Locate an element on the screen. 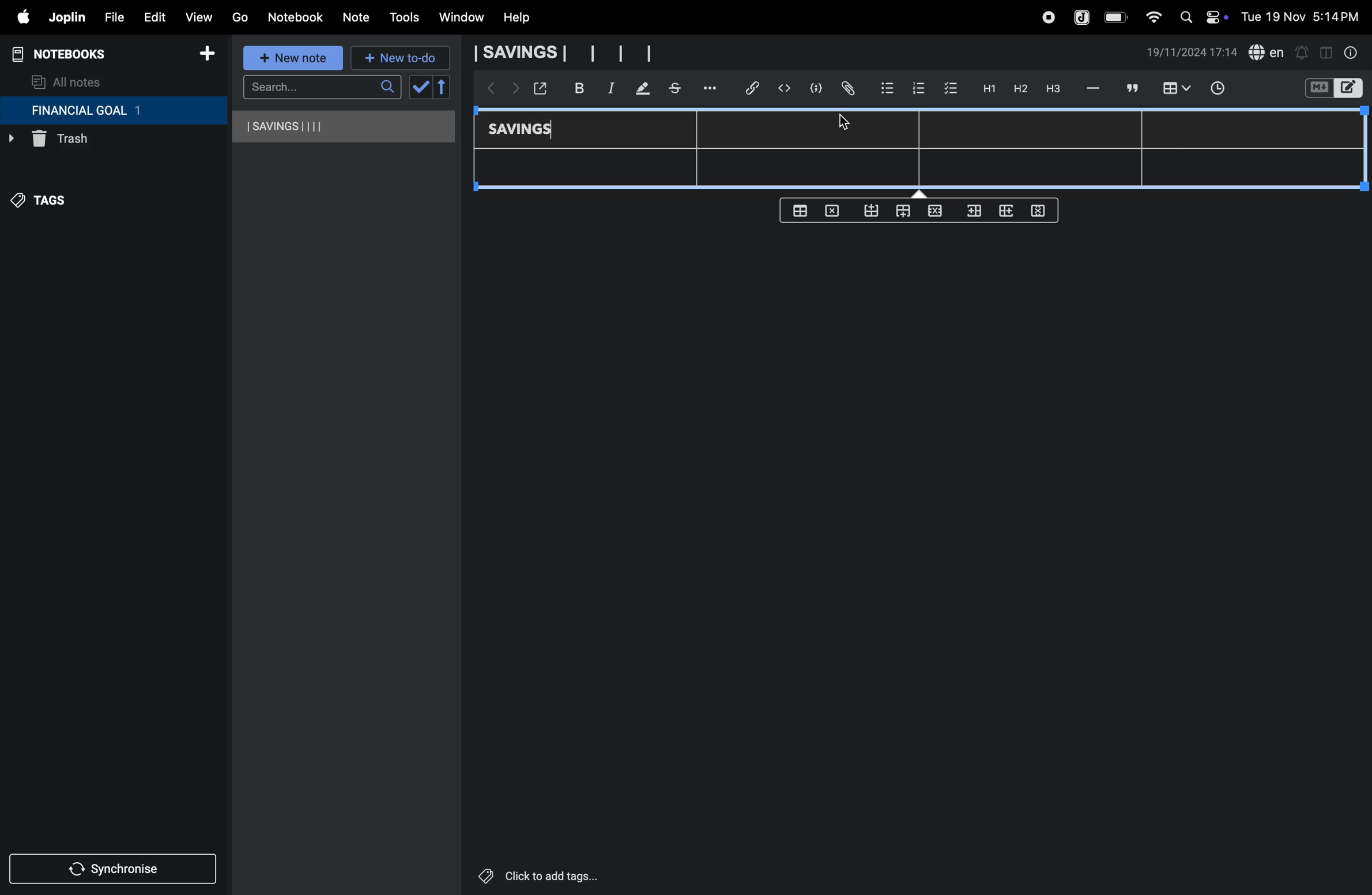 The height and width of the screenshot is (895, 1372). note is located at coordinates (358, 18).